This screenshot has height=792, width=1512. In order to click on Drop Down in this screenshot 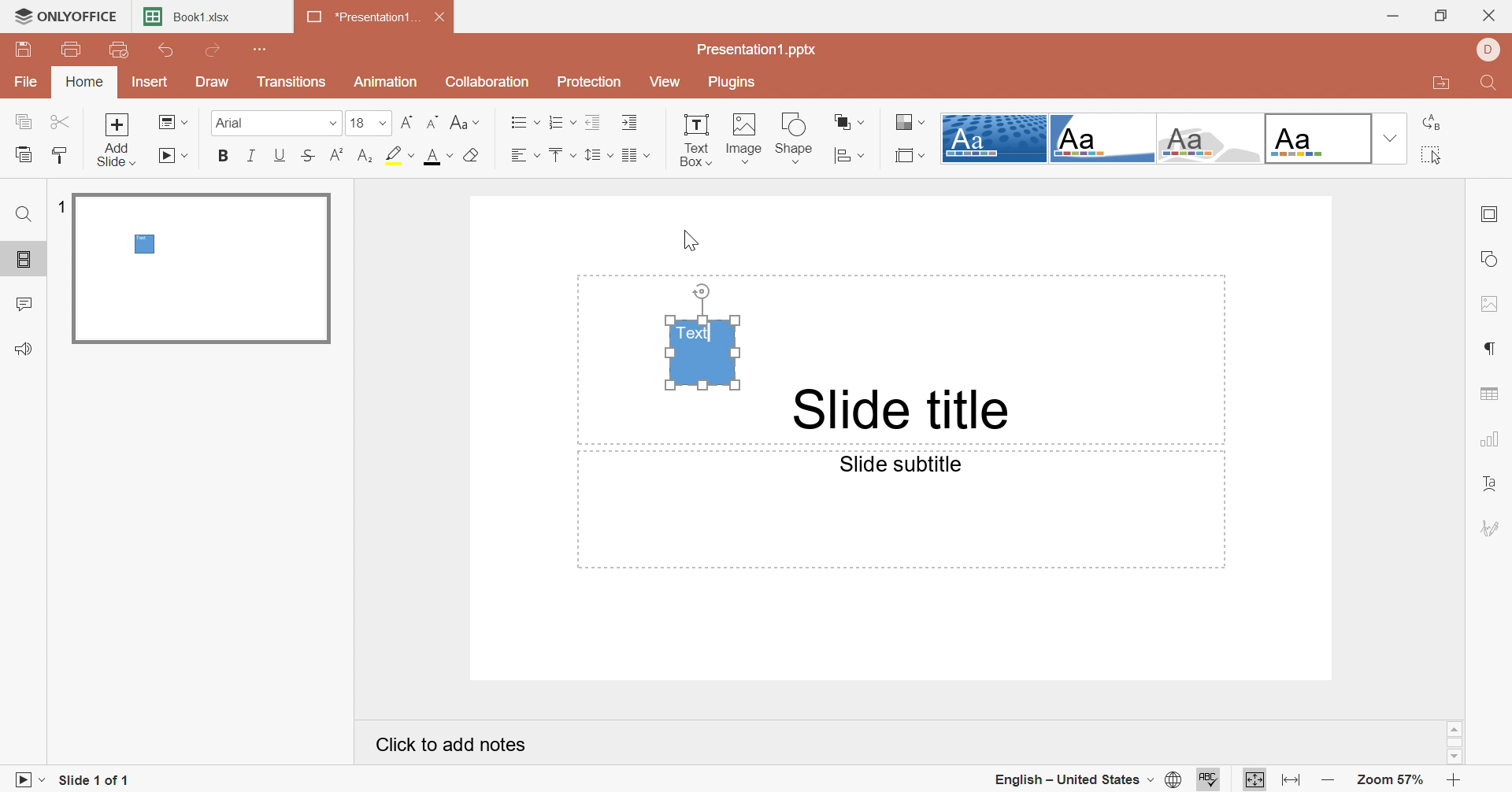, I will do `click(1392, 138)`.